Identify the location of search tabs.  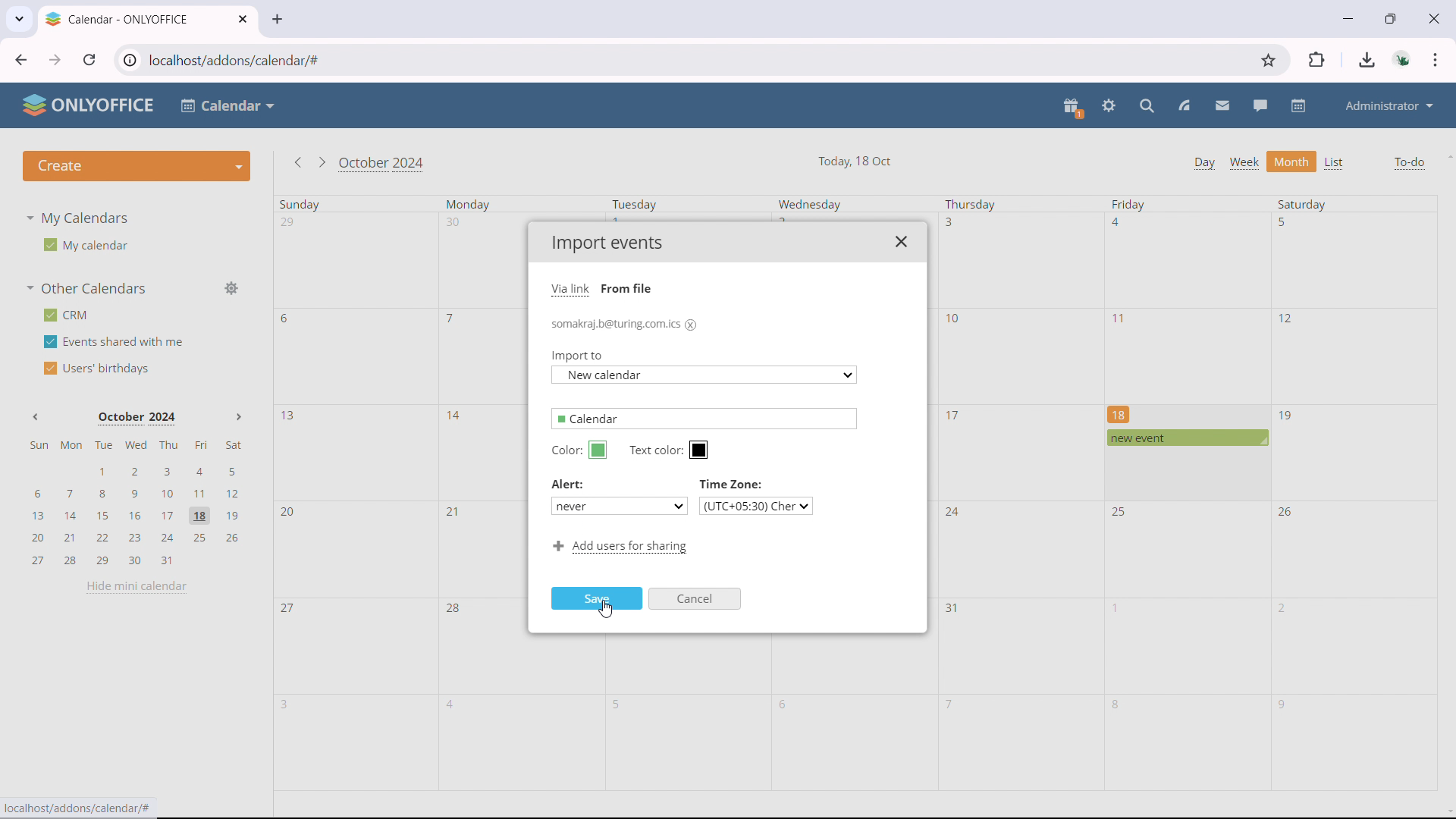
(19, 17).